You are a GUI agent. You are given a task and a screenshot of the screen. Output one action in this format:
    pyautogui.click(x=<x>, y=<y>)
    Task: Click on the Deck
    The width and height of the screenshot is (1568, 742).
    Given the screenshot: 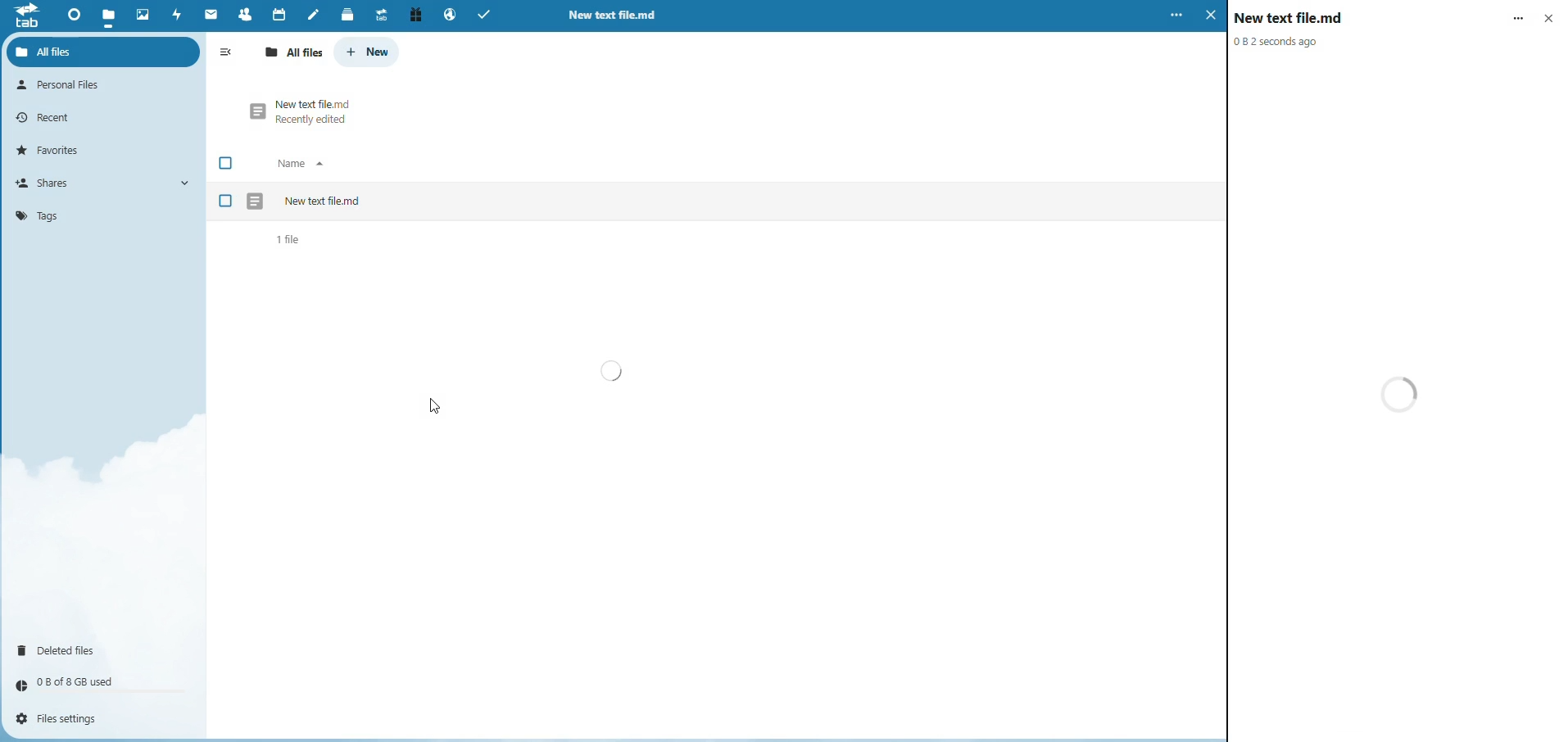 What is the action you would take?
    pyautogui.click(x=344, y=14)
    